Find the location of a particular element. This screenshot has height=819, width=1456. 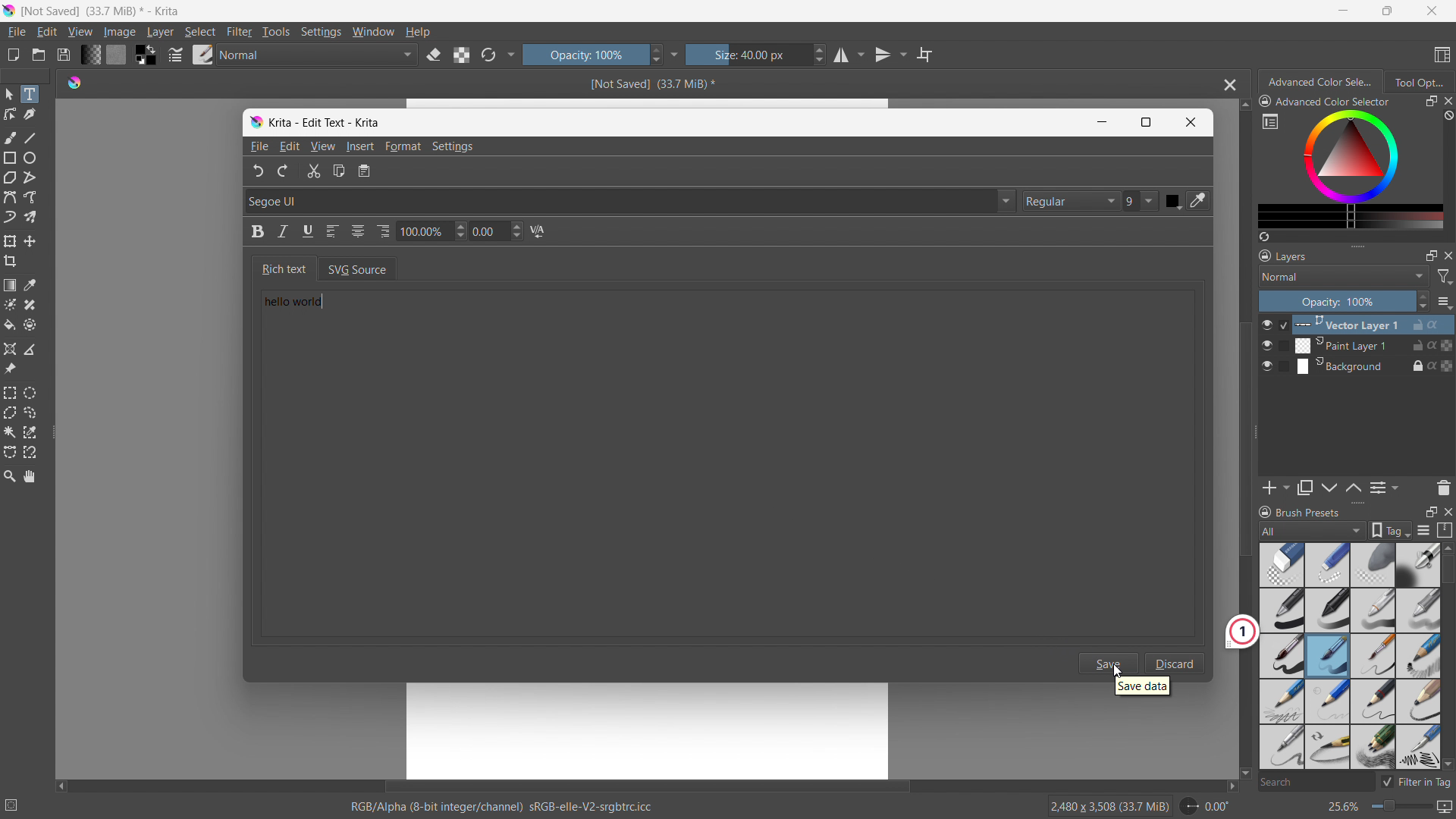

pencil is located at coordinates (1373, 610).